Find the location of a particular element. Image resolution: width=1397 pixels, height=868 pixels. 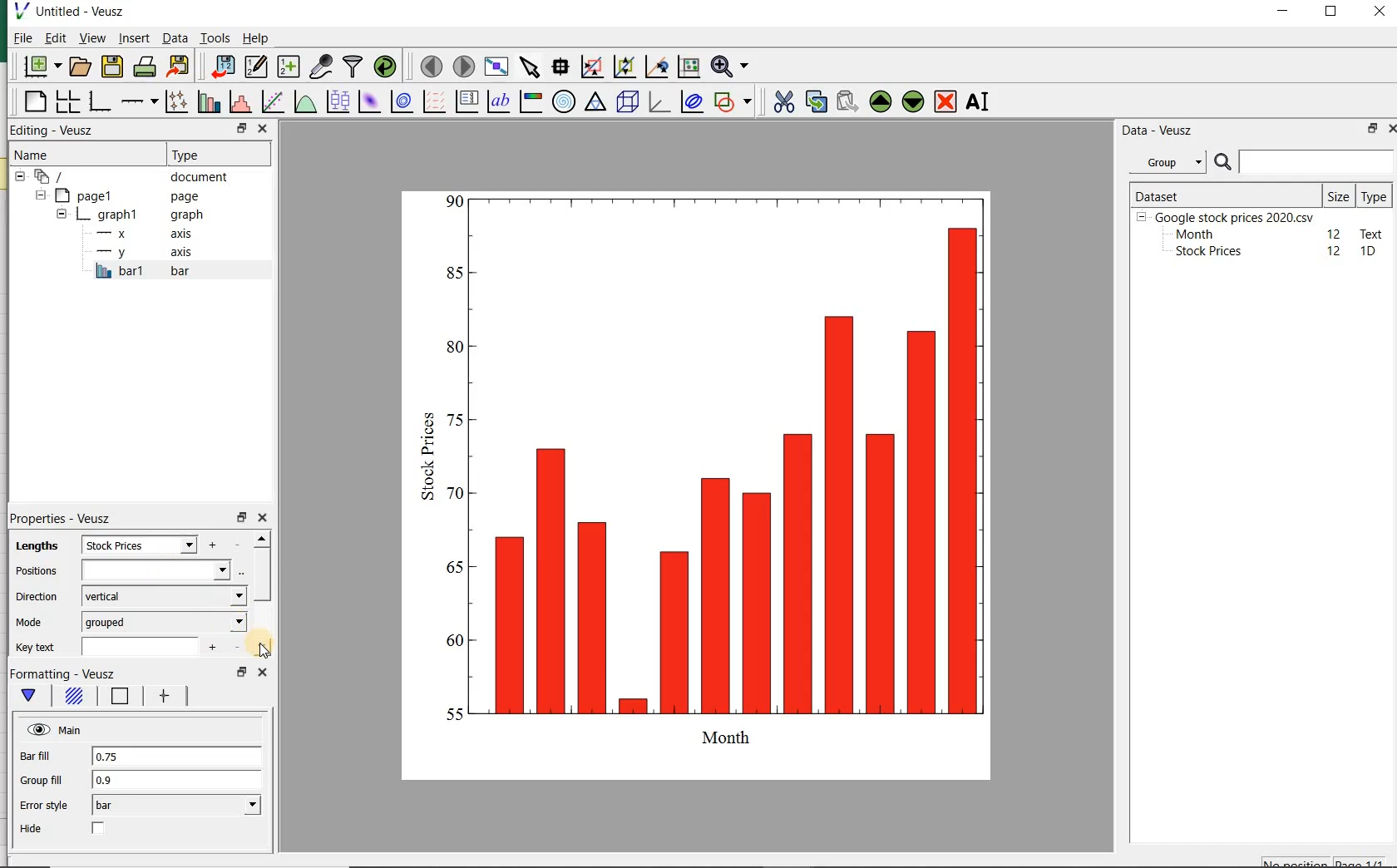

bar1 is located at coordinates (140, 272).